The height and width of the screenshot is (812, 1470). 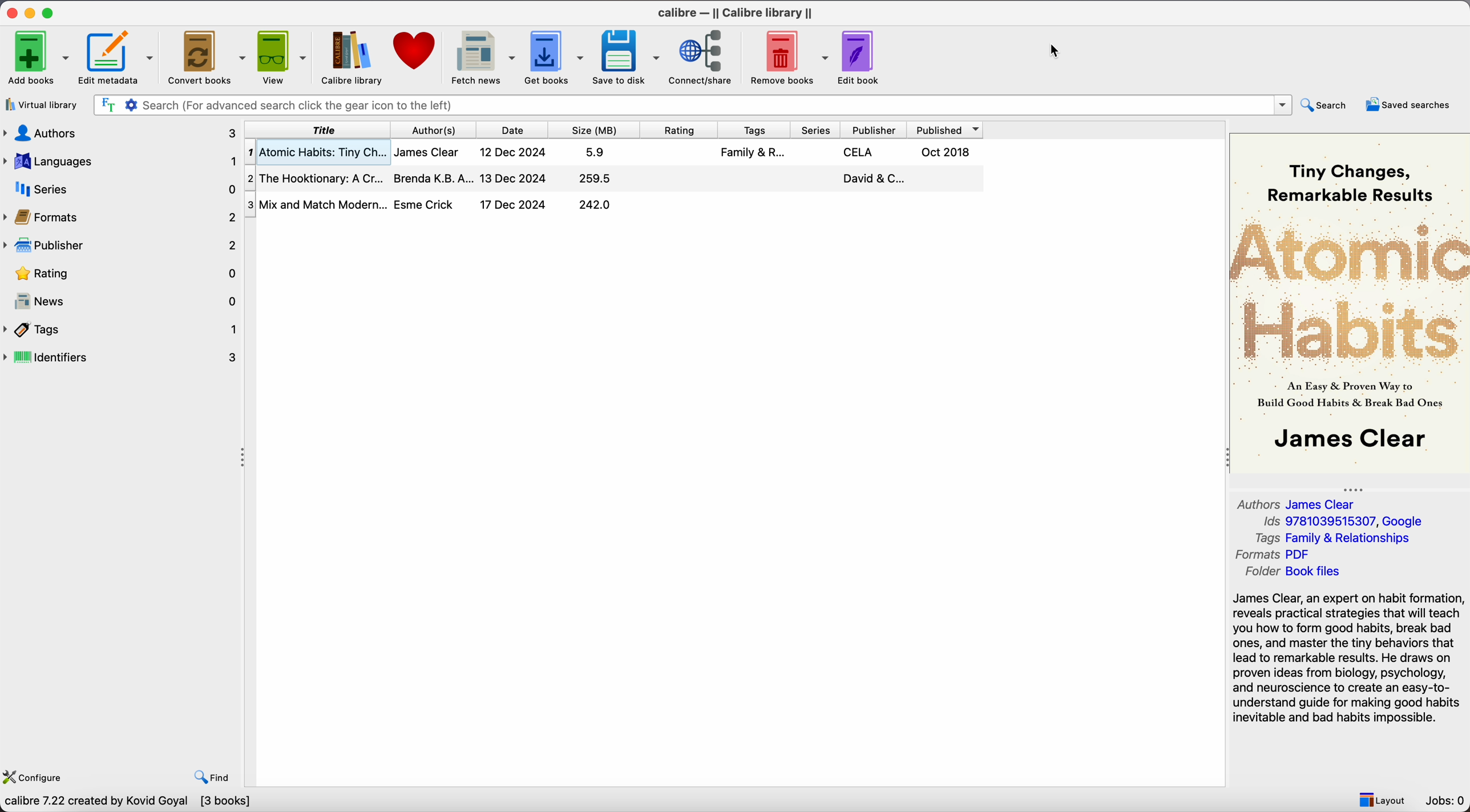 What do you see at coordinates (319, 130) in the screenshot?
I see `title` at bounding box center [319, 130].